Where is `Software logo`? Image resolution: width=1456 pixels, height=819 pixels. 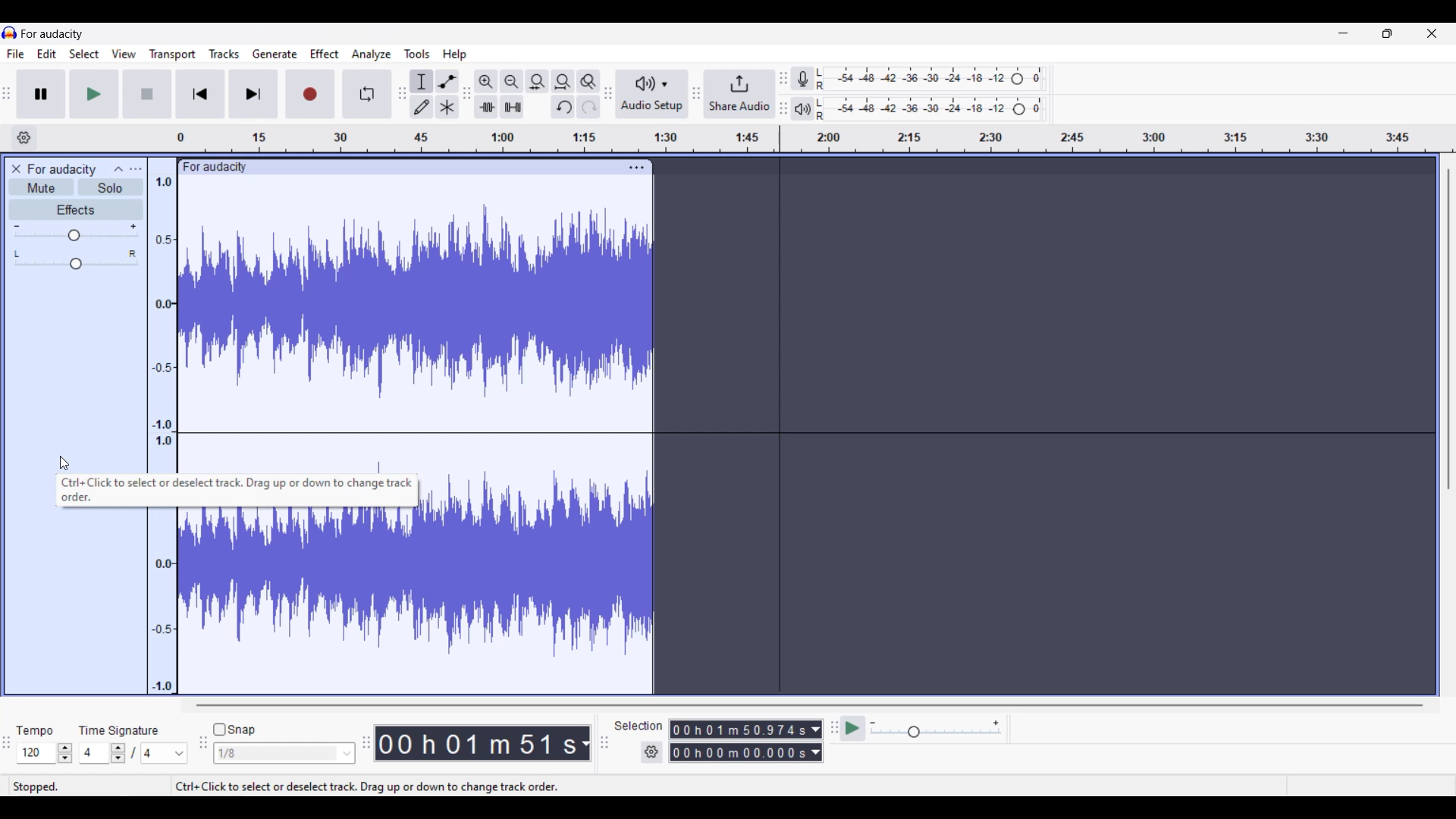
Software logo is located at coordinates (10, 33).